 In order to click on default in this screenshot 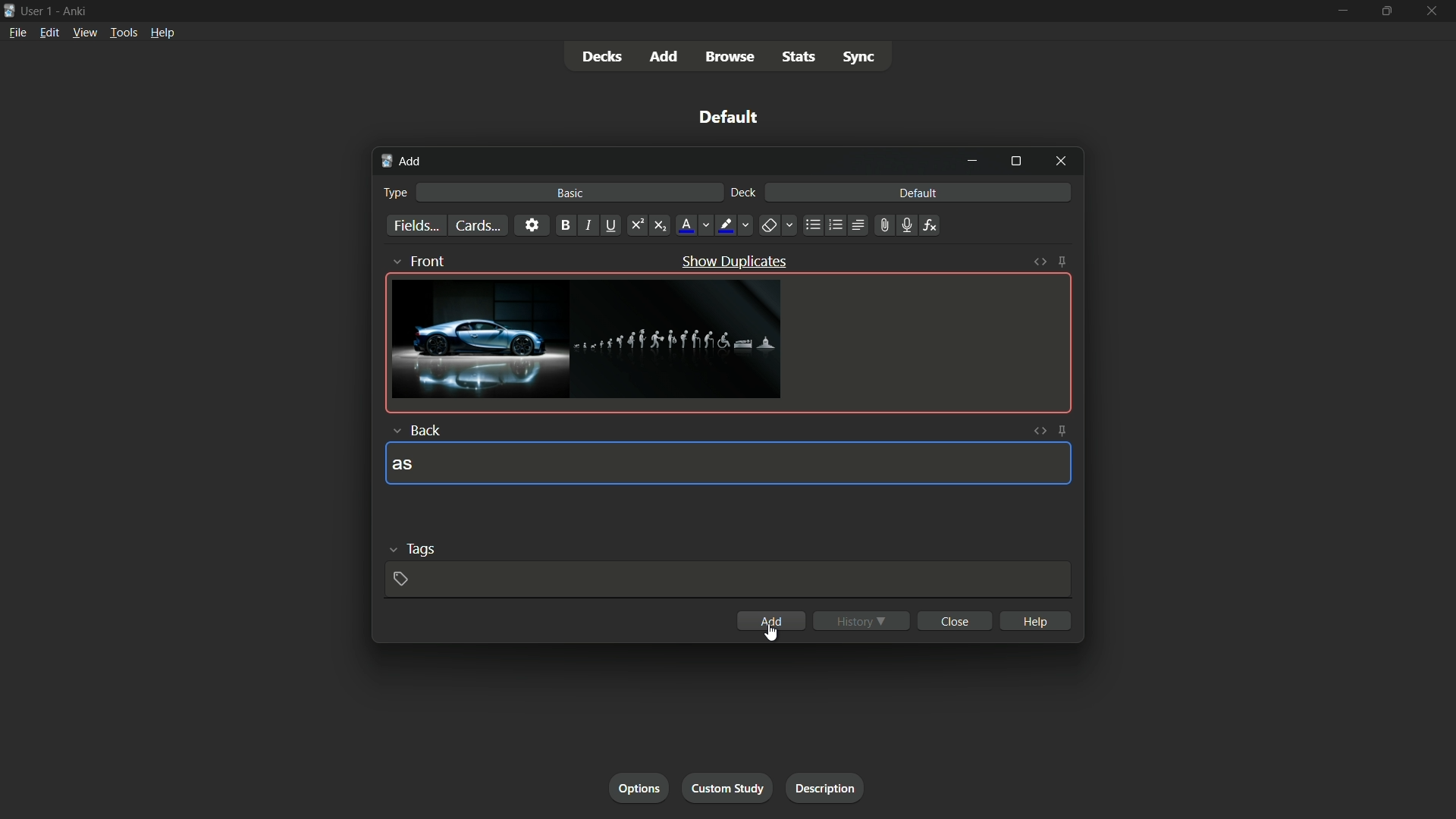, I will do `click(918, 193)`.